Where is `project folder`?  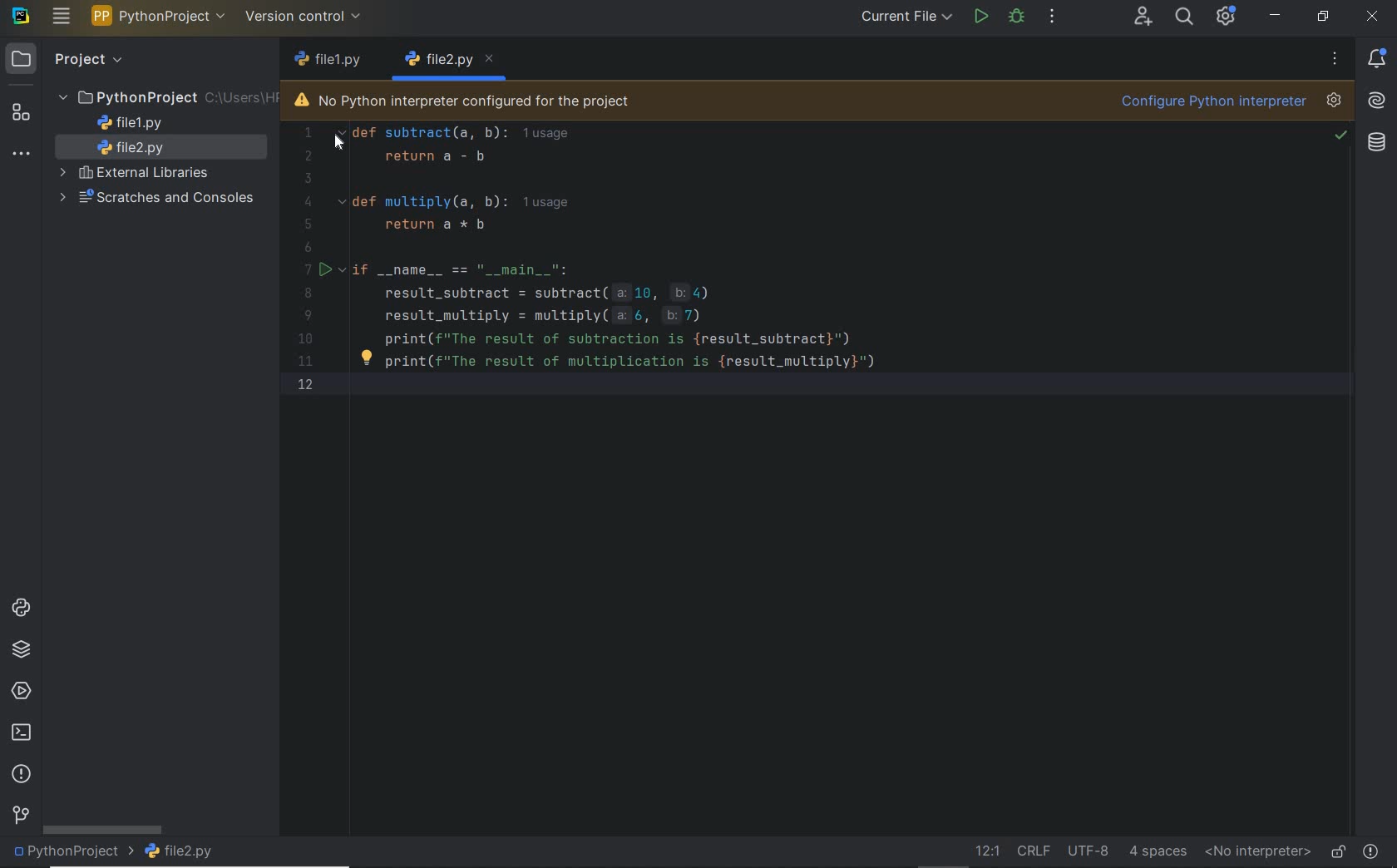
project folder is located at coordinates (166, 98).